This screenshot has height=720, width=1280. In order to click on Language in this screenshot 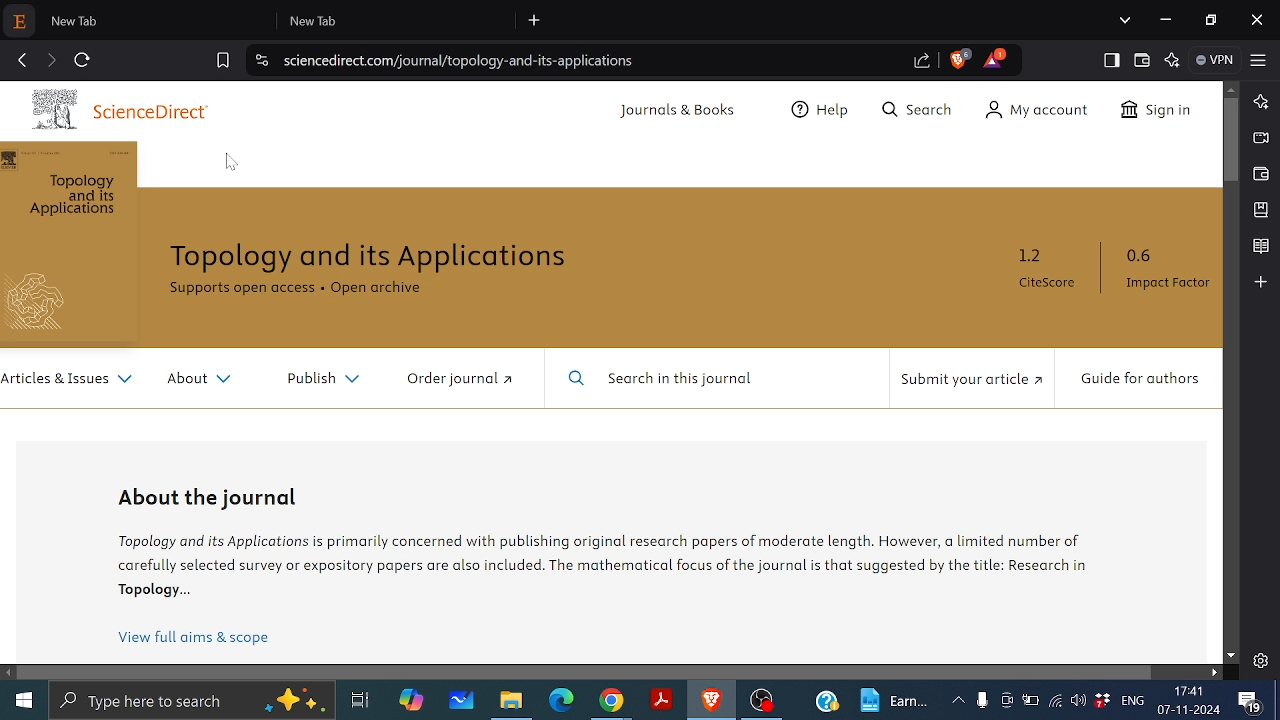, I will do `click(1132, 701)`.